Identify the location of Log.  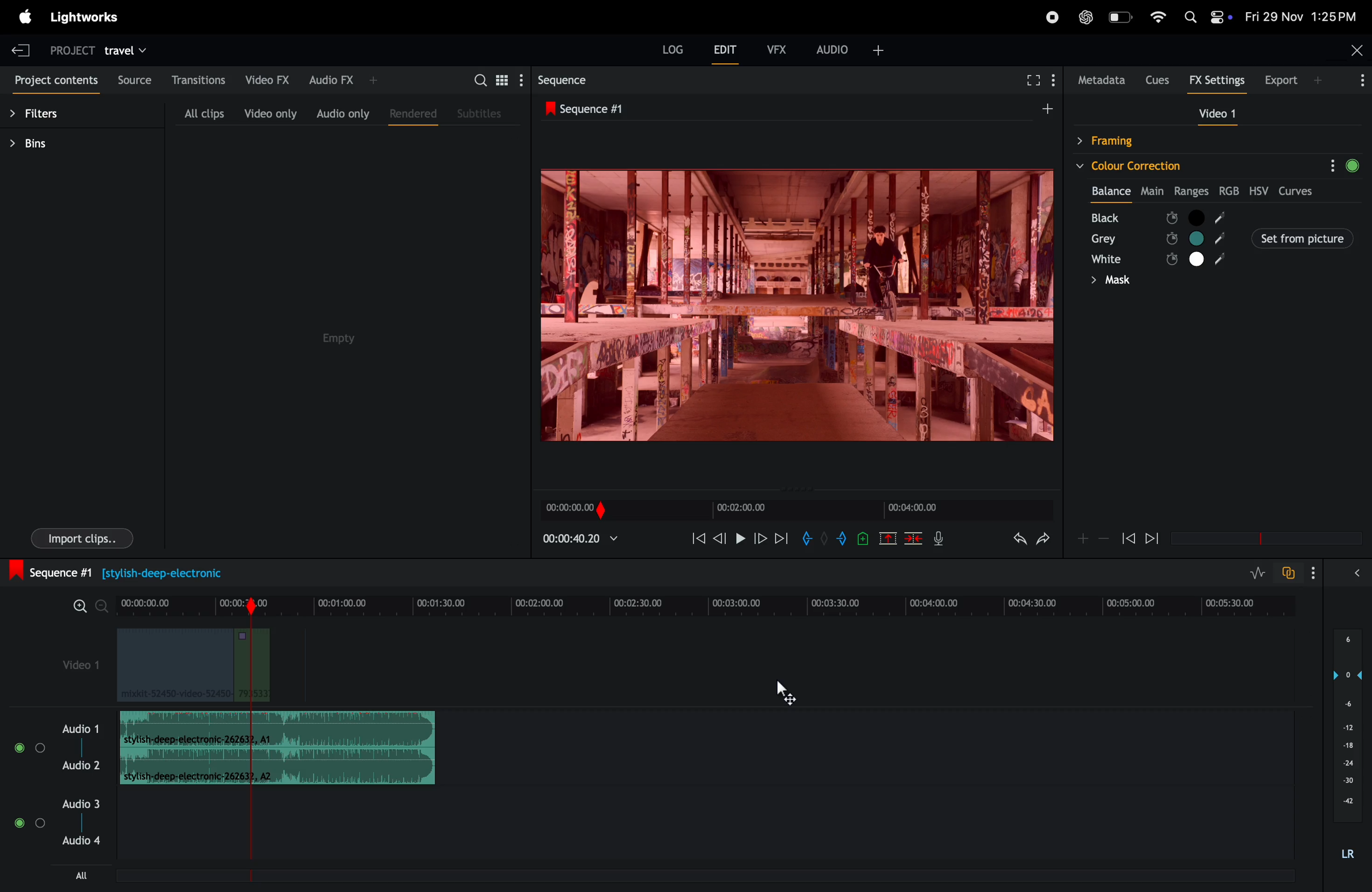
(673, 49).